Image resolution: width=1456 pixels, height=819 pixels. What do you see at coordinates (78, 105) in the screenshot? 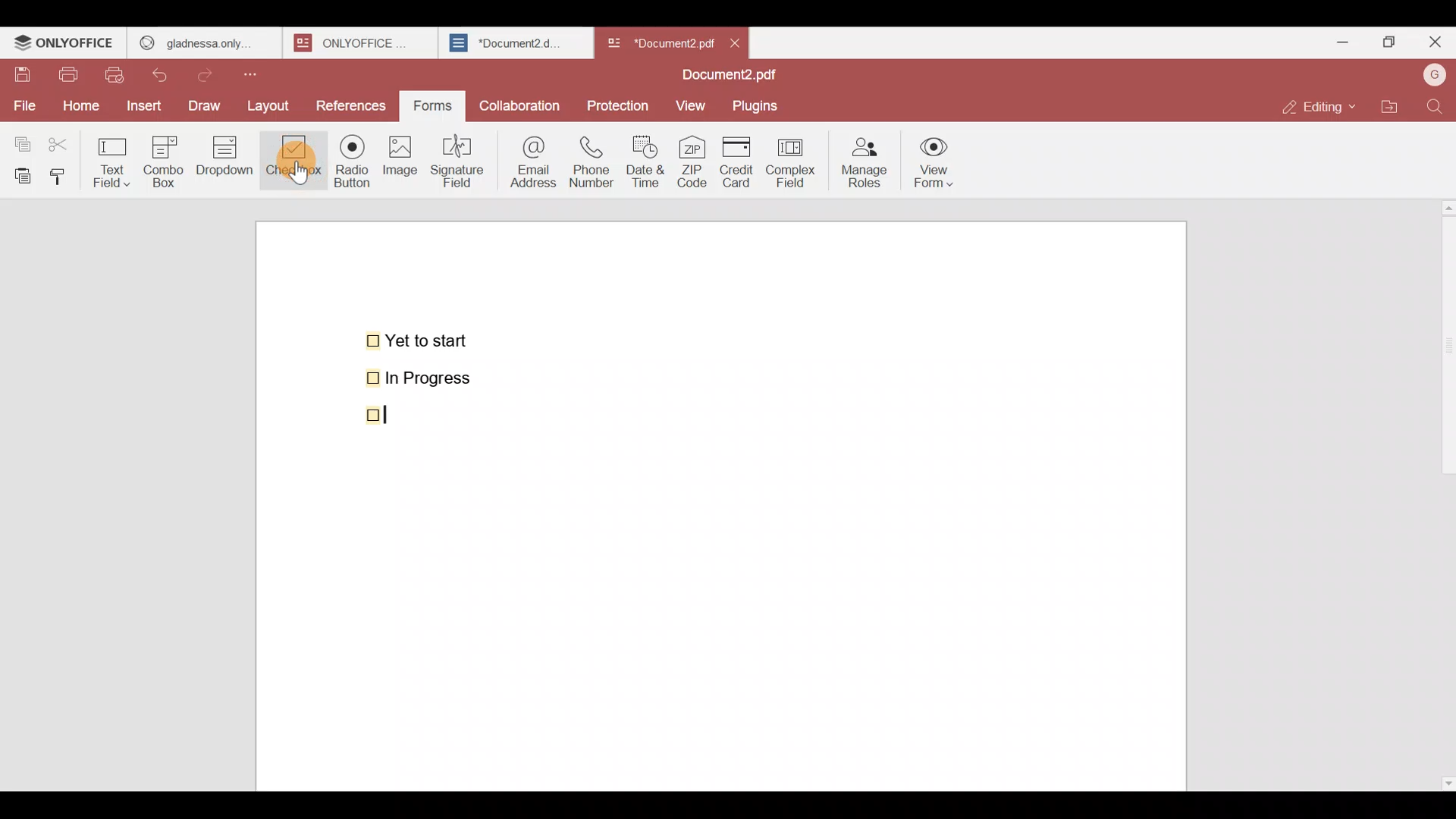
I see `Home` at bounding box center [78, 105].